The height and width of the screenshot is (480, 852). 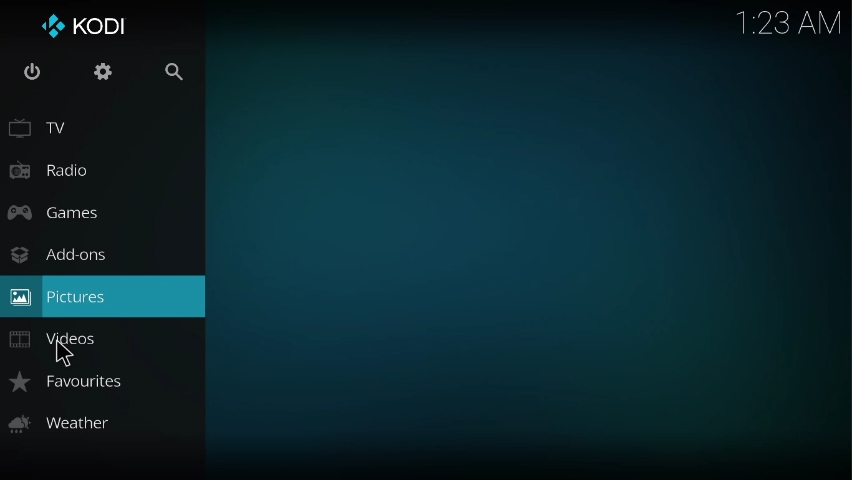 What do you see at coordinates (29, 74) in the screenshot?
I see `power` at bounding box center [29, 74].